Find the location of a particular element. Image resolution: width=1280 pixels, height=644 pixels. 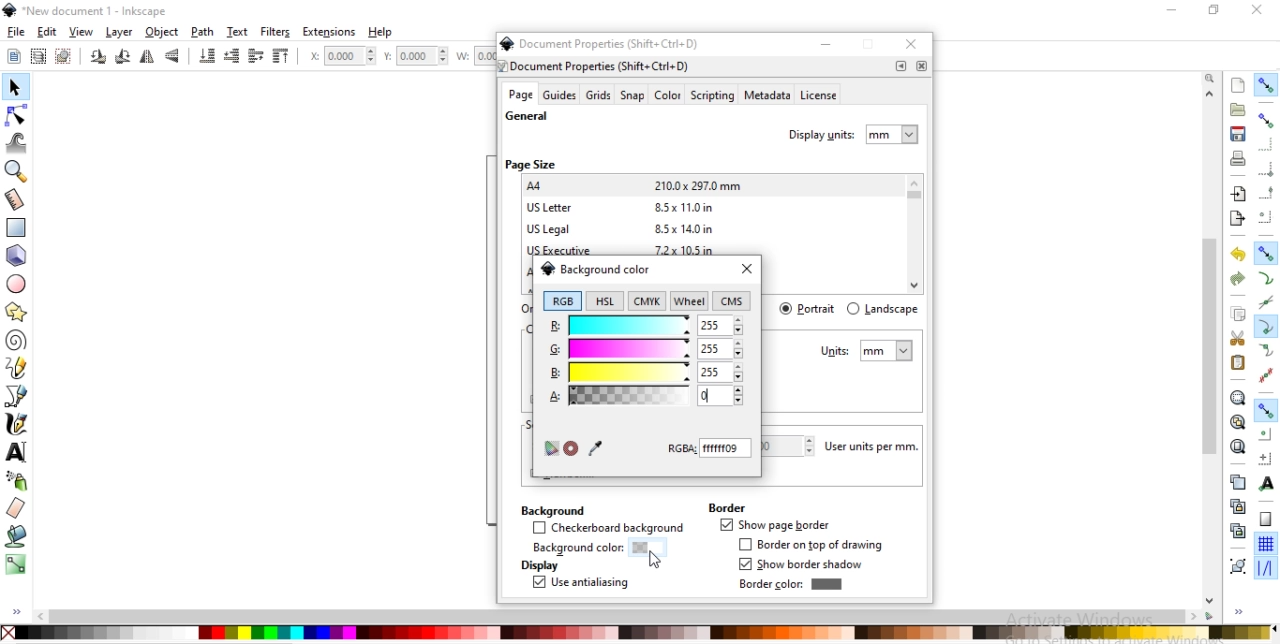

create or edit text objects is located at coordinates (17, 451).